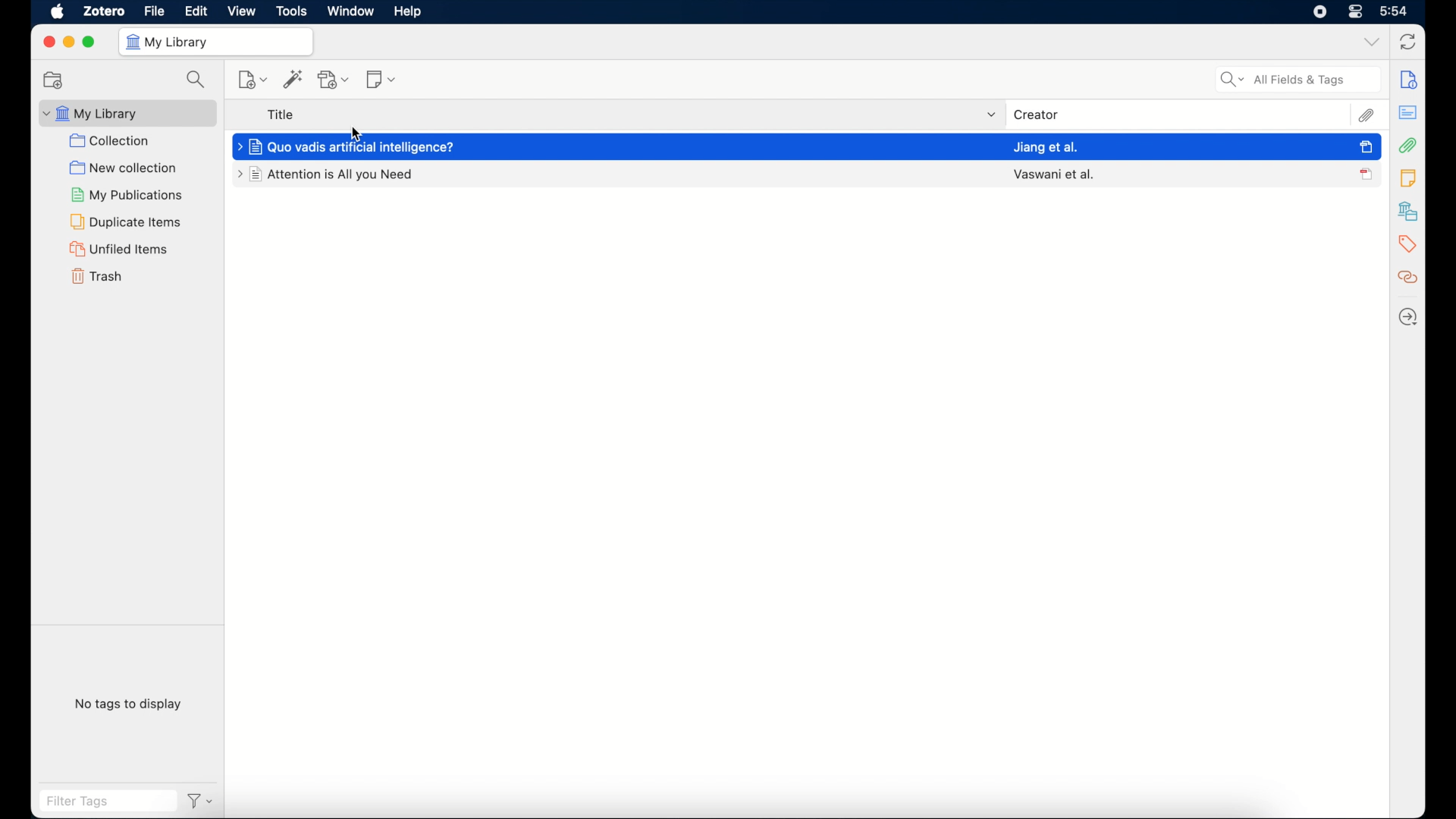 The image size is (1456, 819). What do you see at coordinates (991, 115) in the screenshot?
I see `dropdown menu` at bounding box center [991, 115].